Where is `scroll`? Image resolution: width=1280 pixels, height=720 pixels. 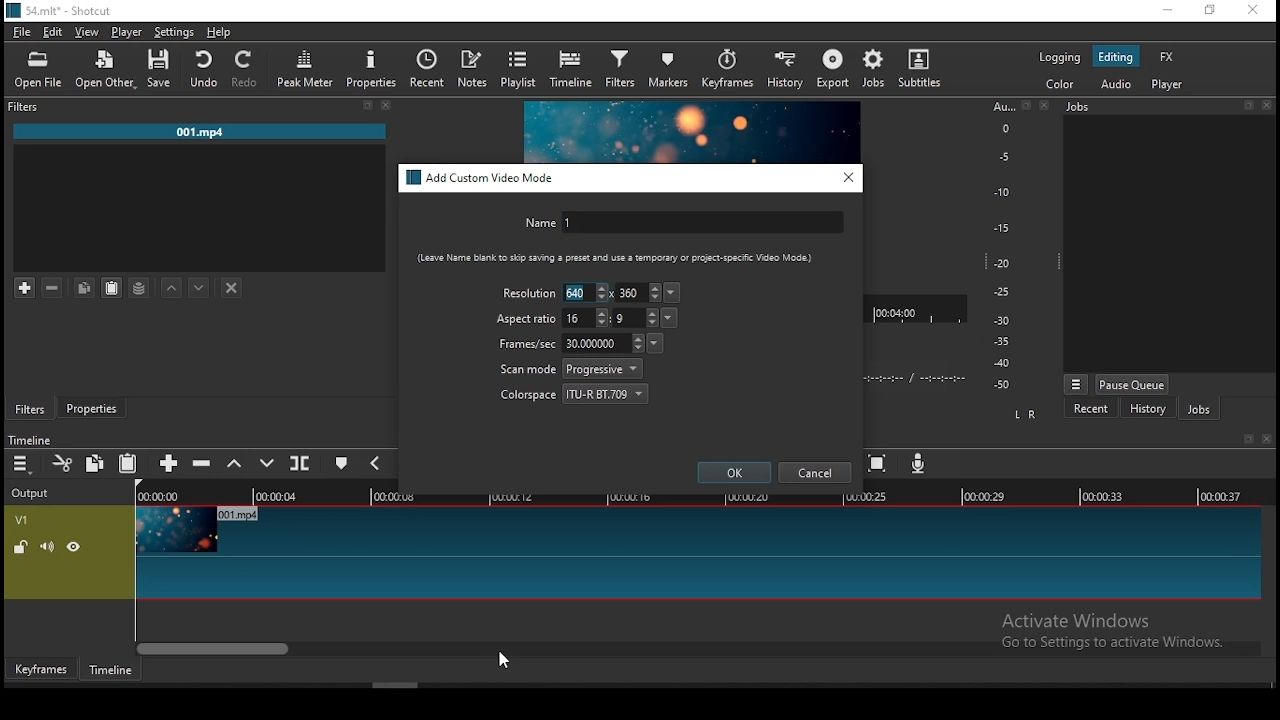
scroll is located at coordinates (395, 685).